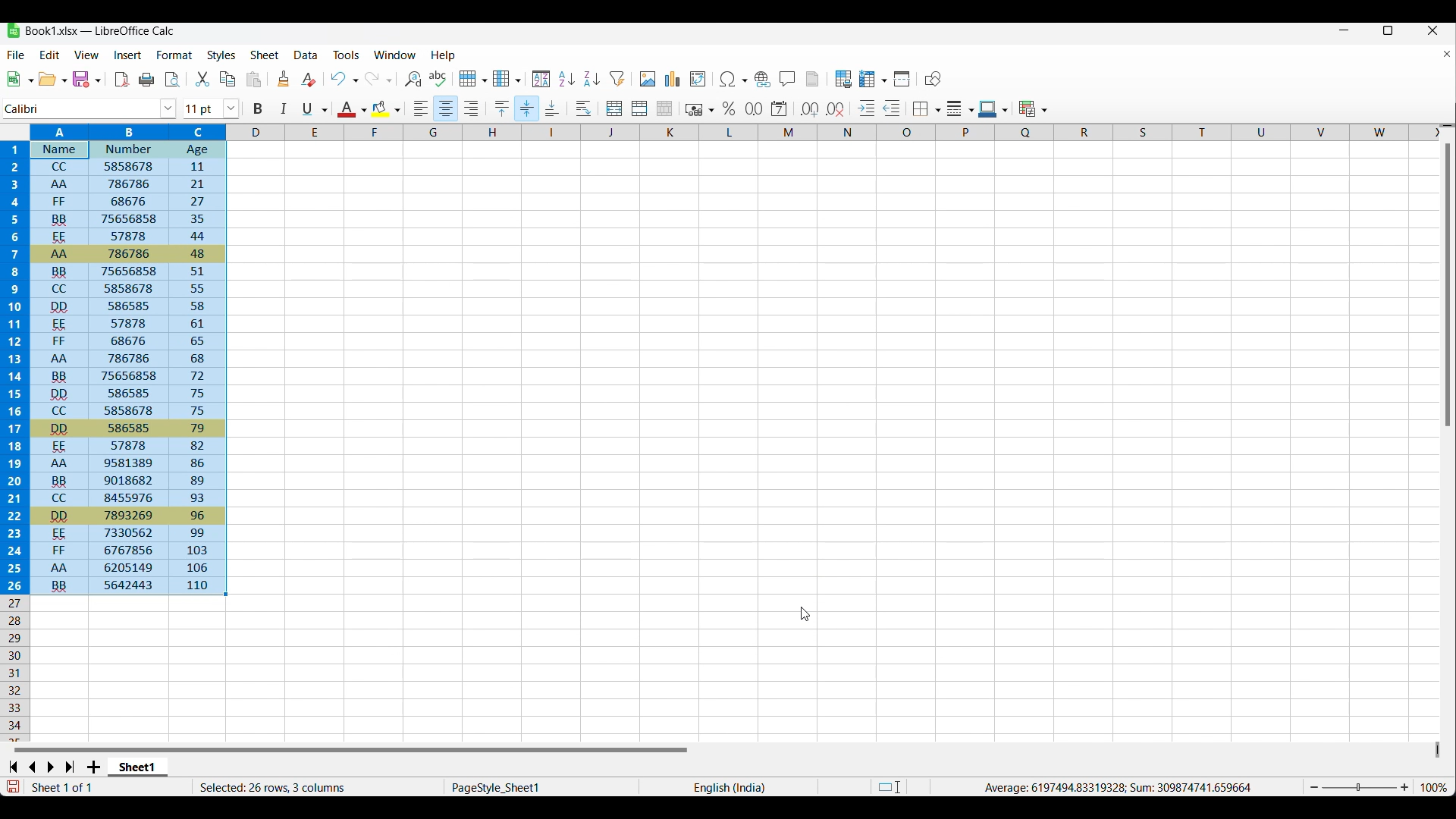 This screenshot has width=1456, height=819. What do you see at coordinates (808, 617) in the screenshot?
I see `cursor` at bounding box center [808, 617].